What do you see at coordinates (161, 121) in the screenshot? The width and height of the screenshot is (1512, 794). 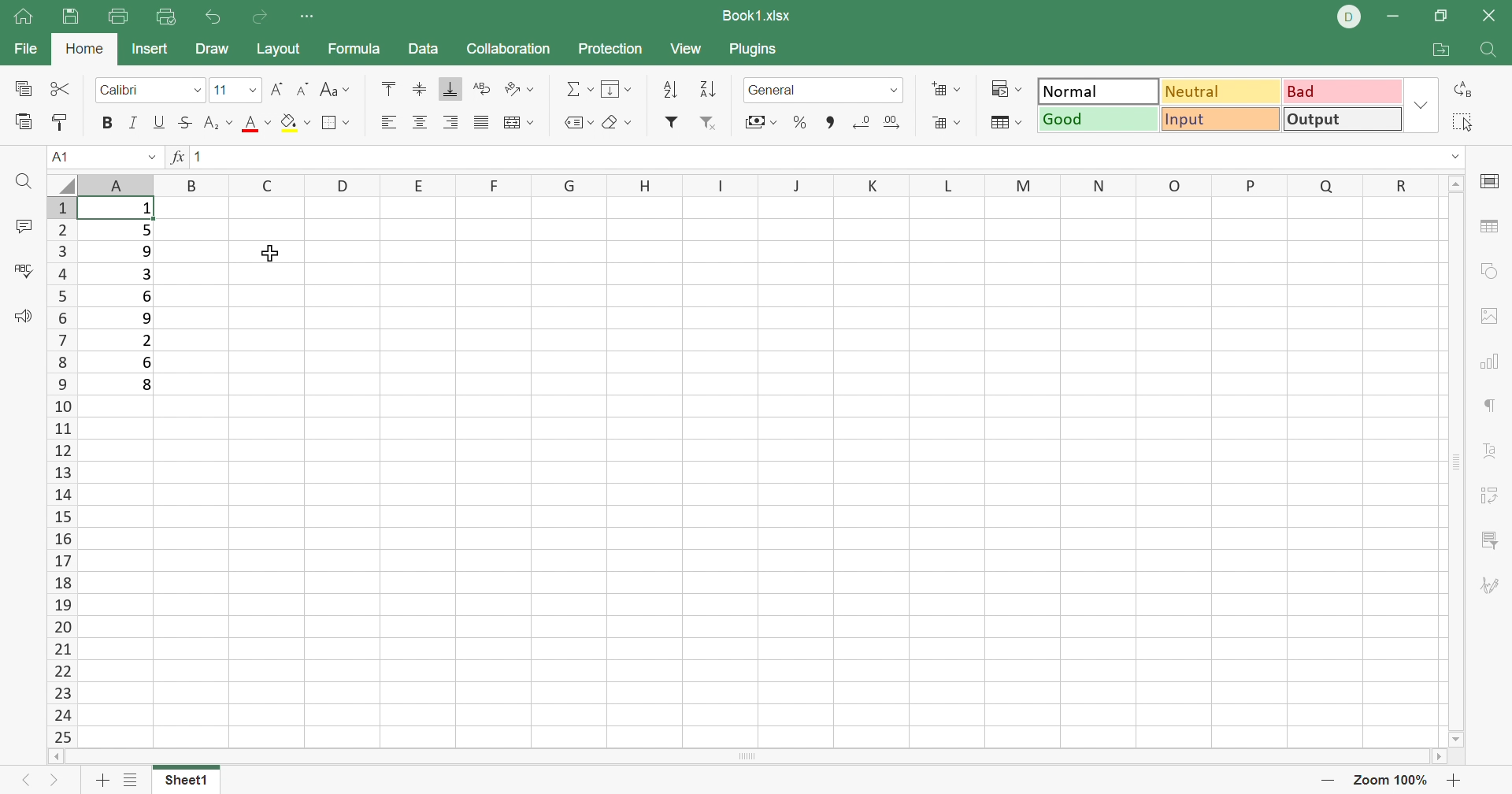 I see `Underline` at bounding box center [161, 121].